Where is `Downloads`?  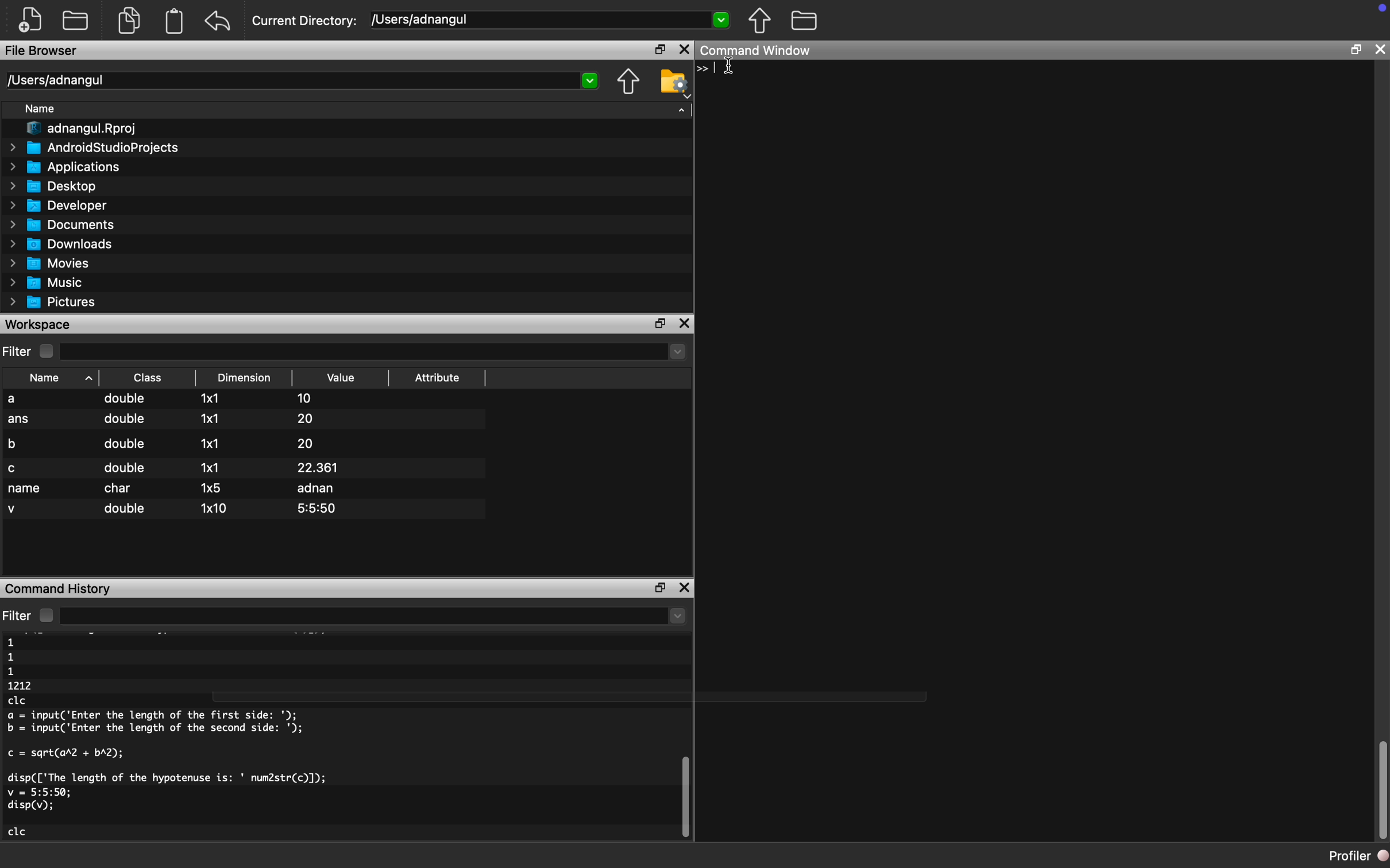
Downloads is located at coordinates (60, 245).